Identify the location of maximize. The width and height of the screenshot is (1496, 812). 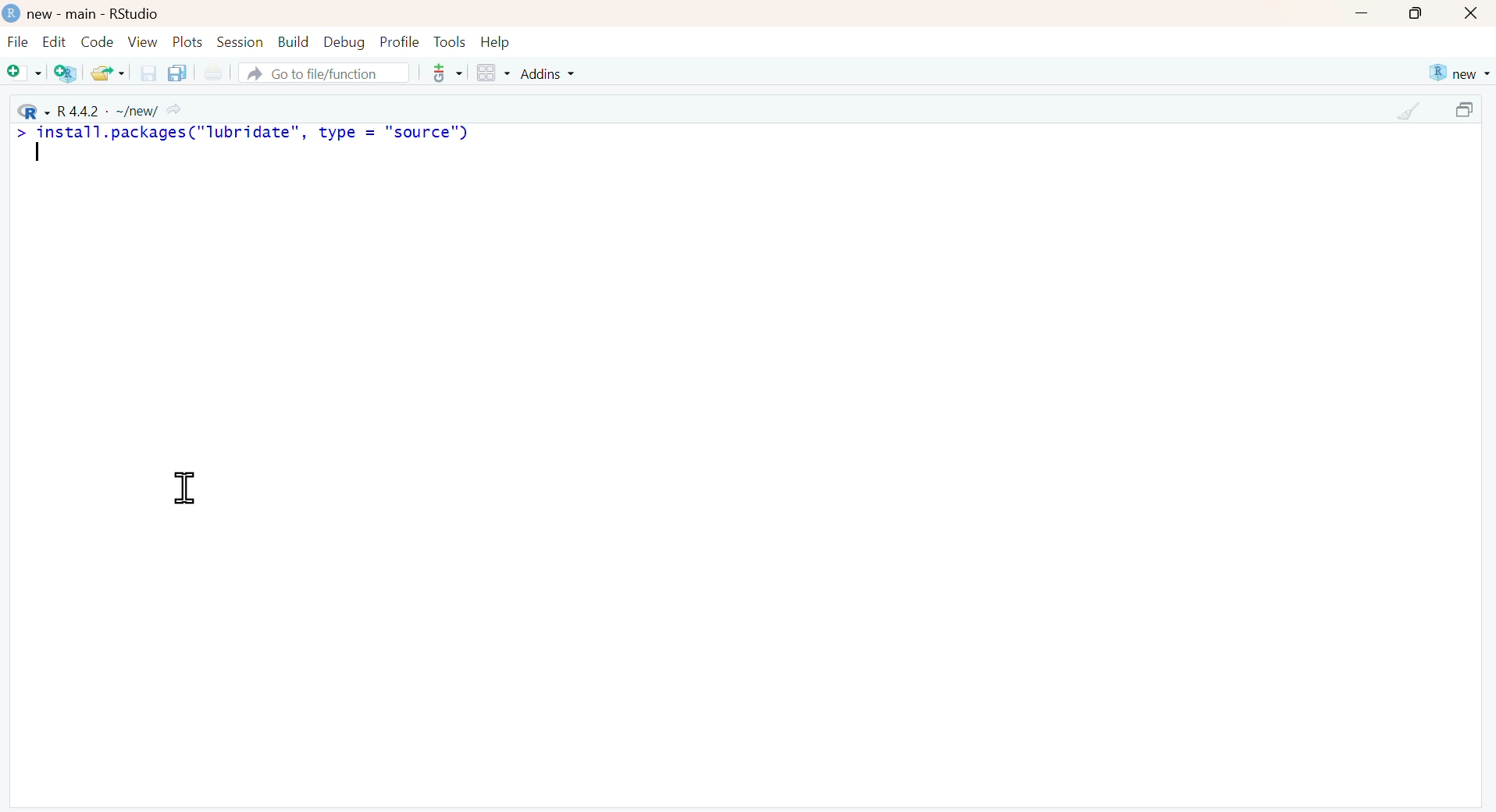
(1416, 13).